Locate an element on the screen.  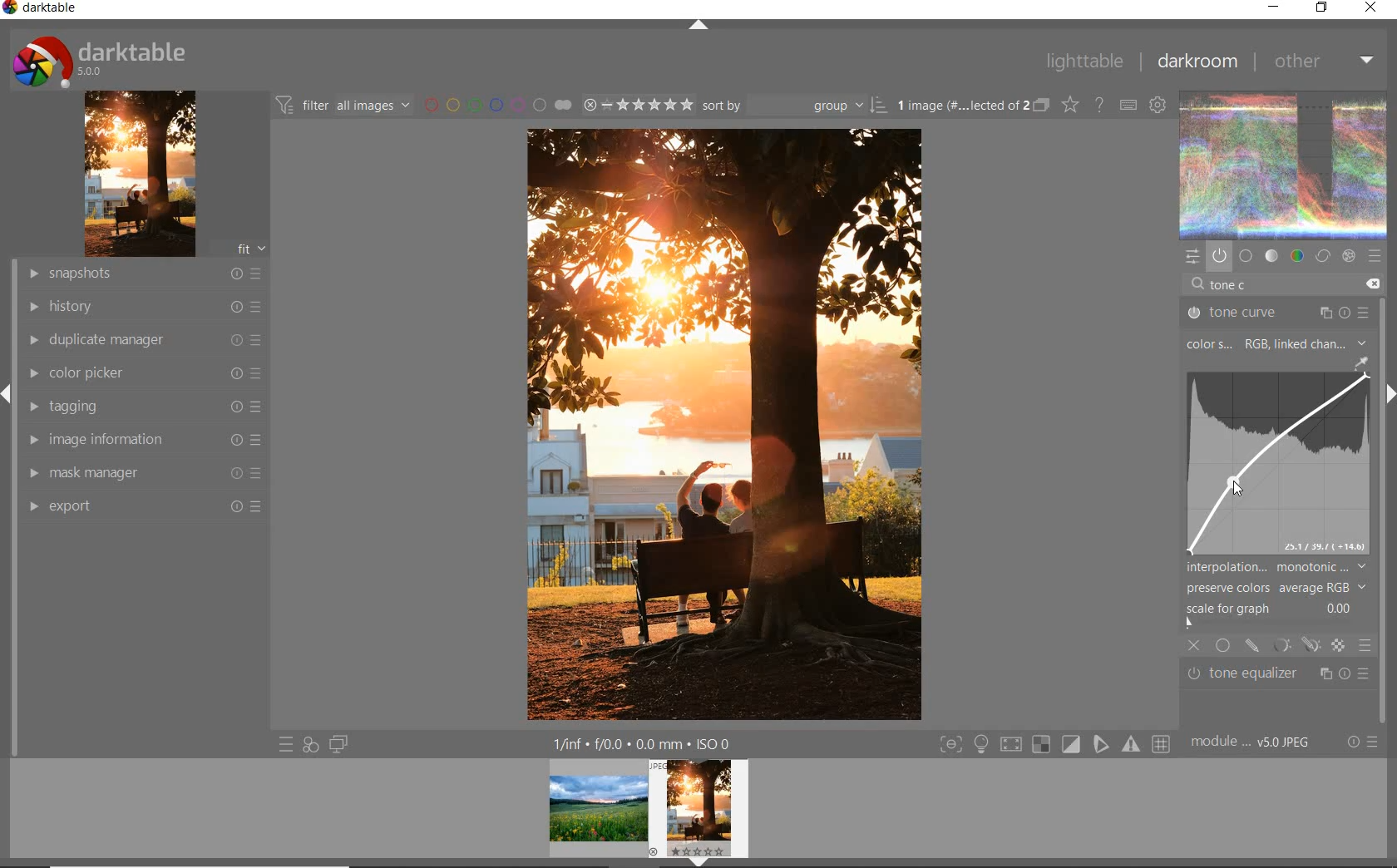
tone equalizer is located at coordinates (1276, 673).